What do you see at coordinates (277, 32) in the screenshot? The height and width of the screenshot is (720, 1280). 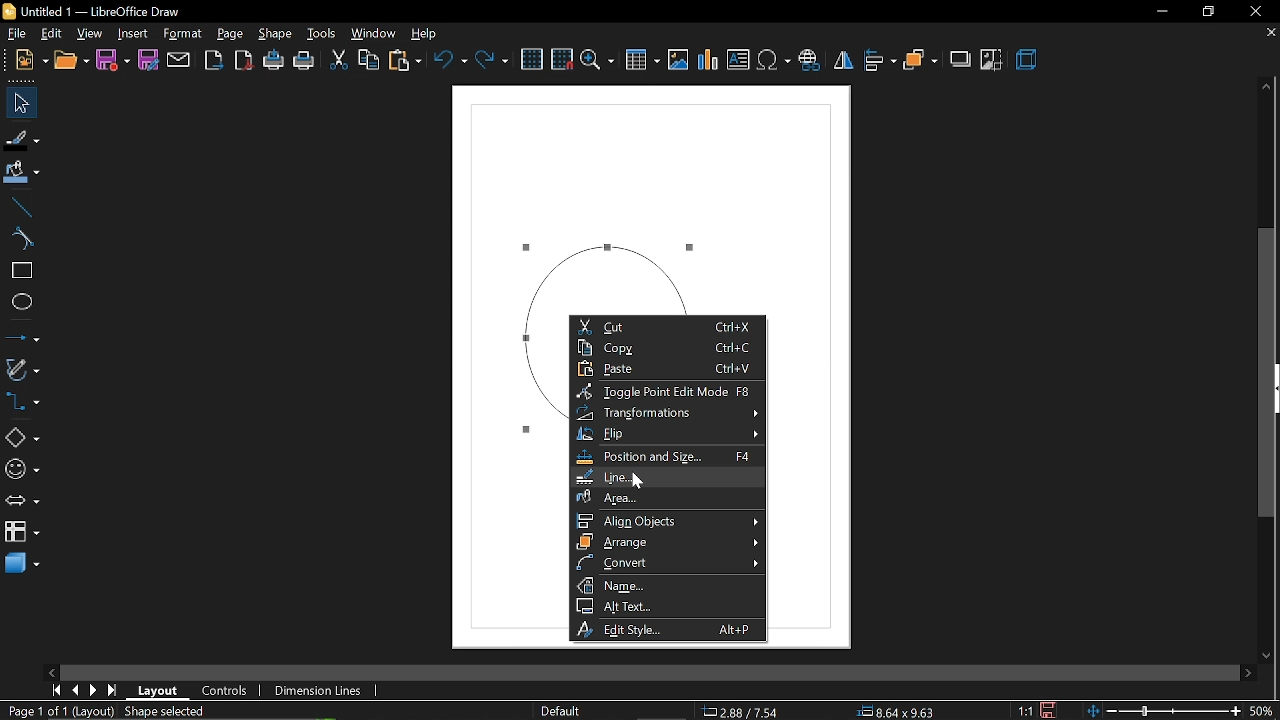 I see `shape` at bounding box center [277, 32].